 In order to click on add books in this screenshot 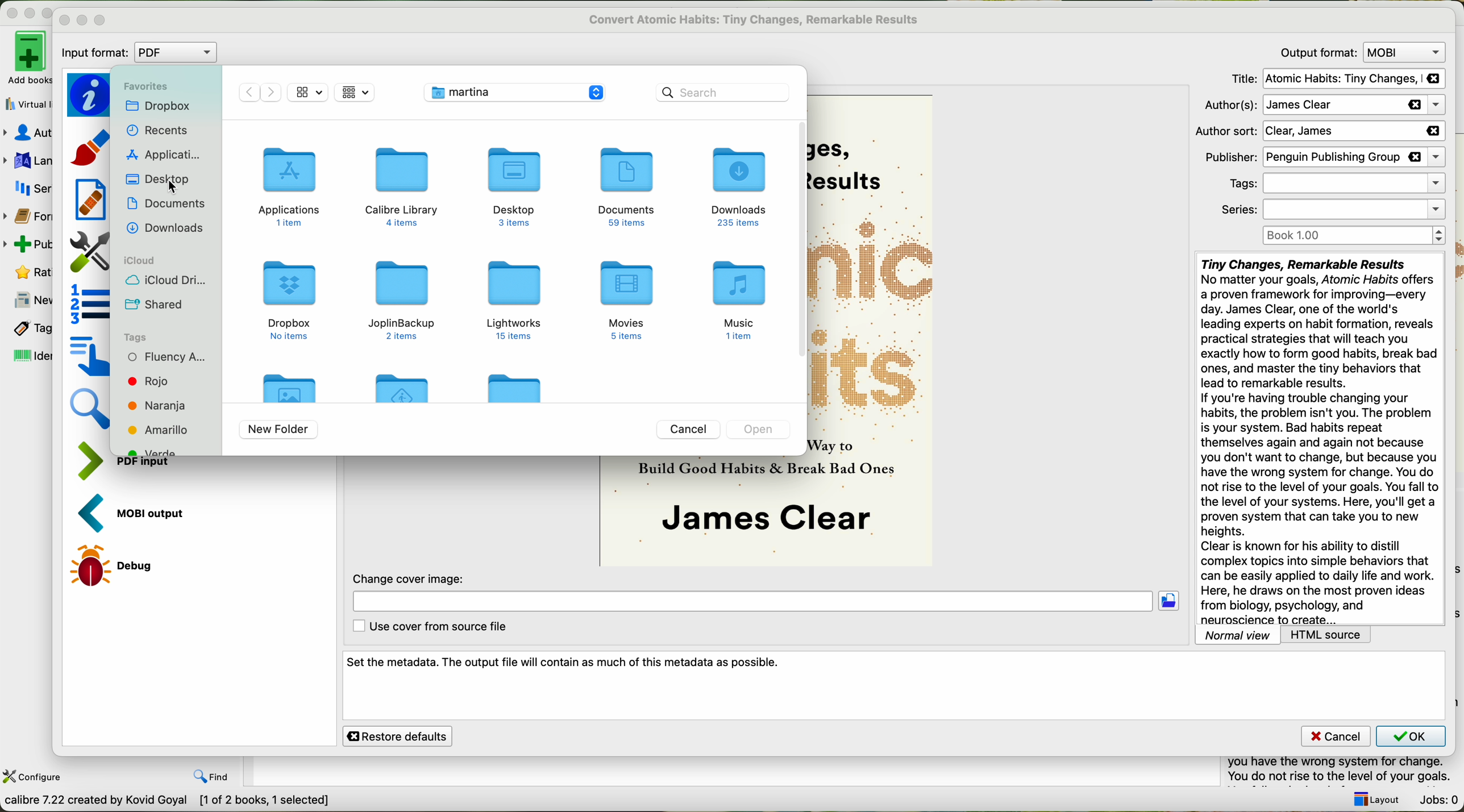, I will do `click(26, 57)`.